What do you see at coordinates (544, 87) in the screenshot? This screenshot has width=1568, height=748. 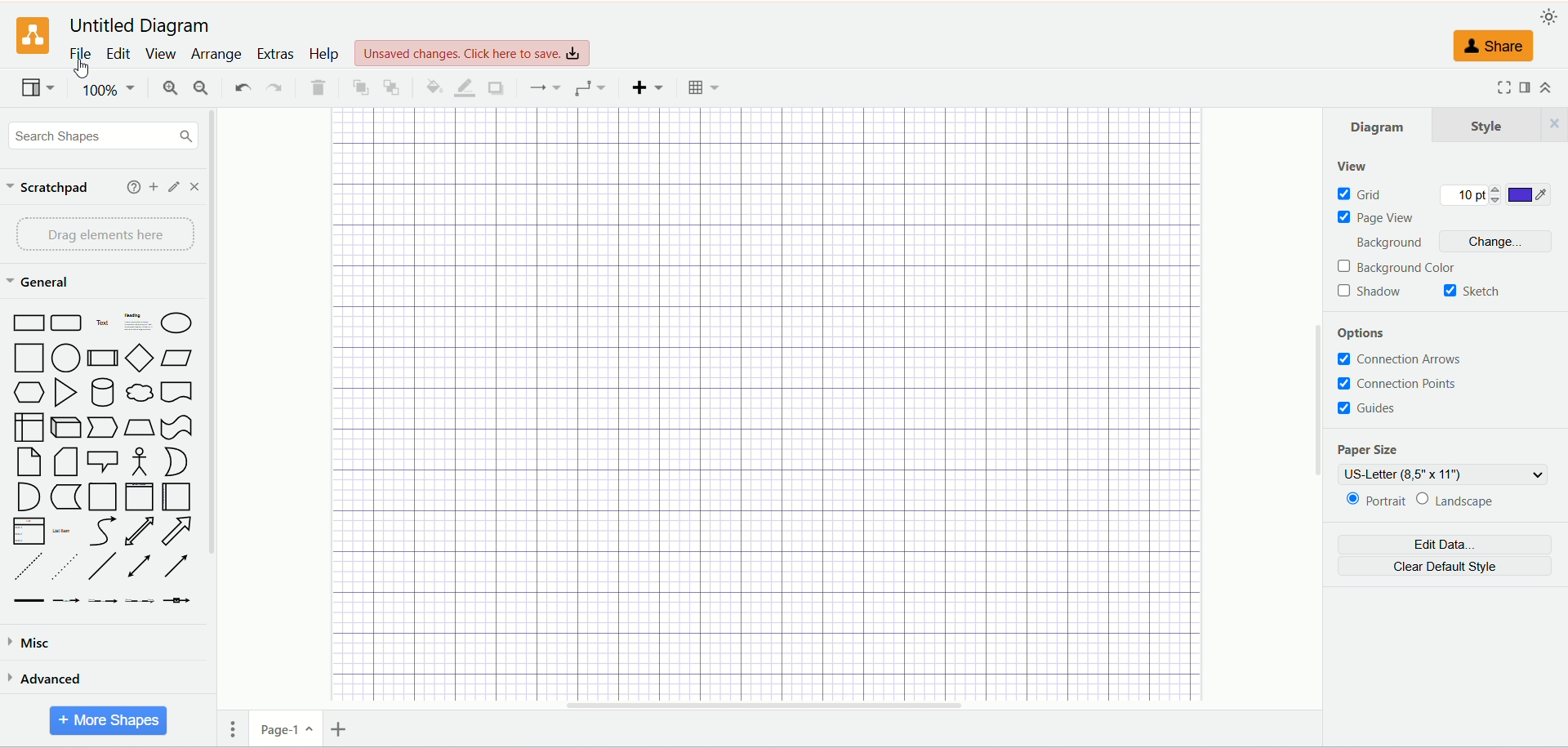 I see `waypoint` at bounding box center [544, 87].